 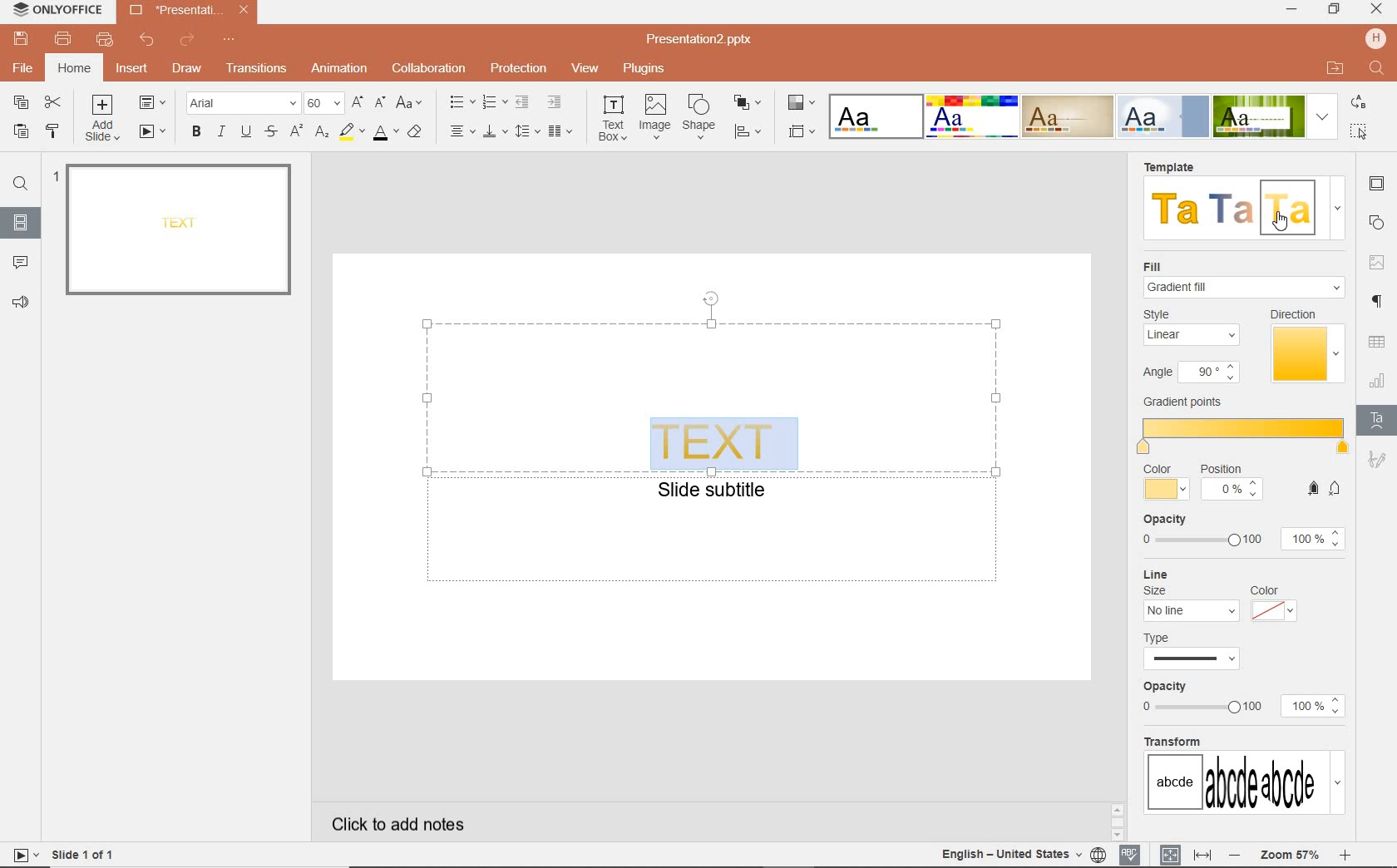 What do you see at coordinates (64, 39) in the screenshot?
I see `PRINT` at bounding box center [64, 39].